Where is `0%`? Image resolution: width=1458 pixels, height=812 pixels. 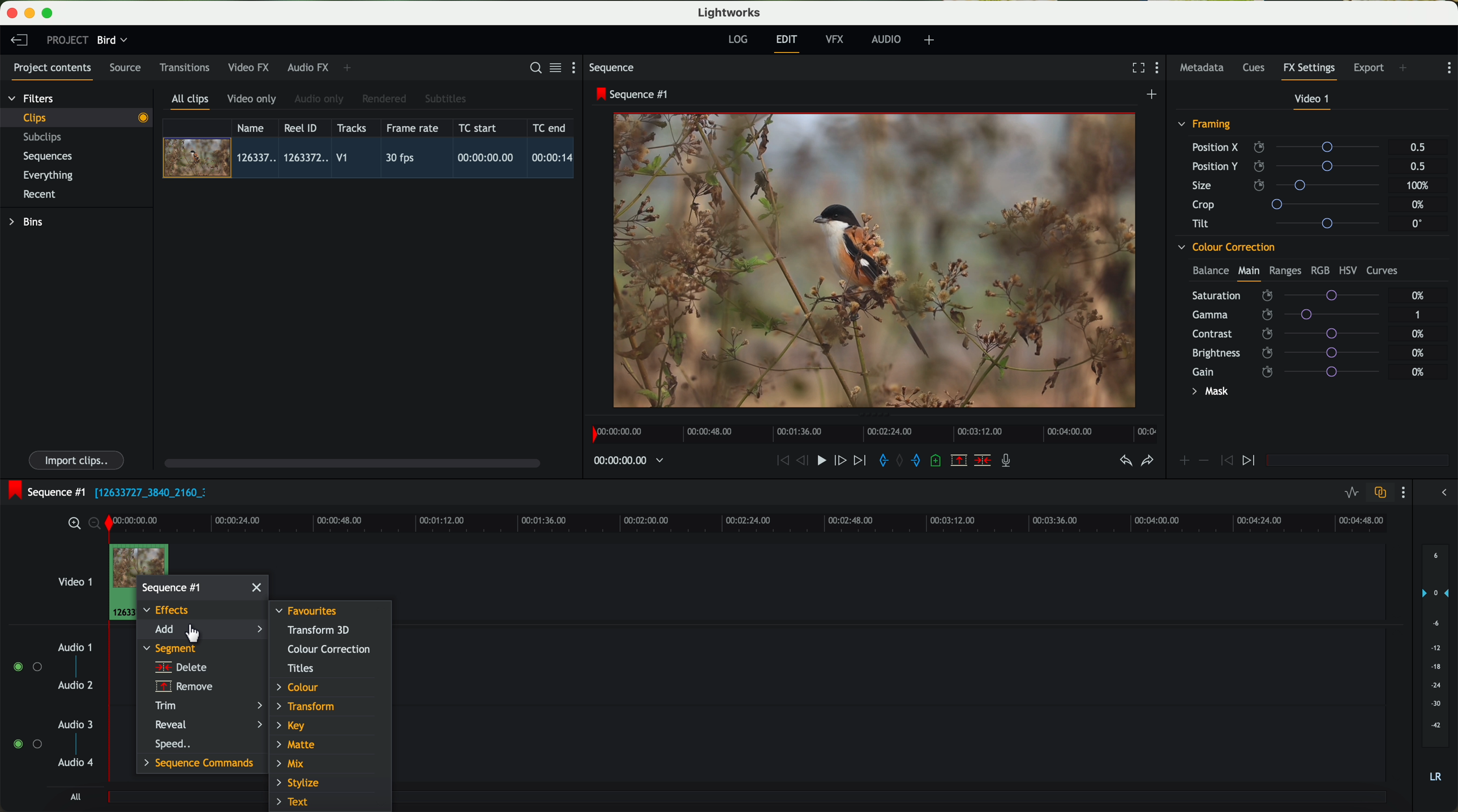
0% is located at coordinates (1418, 295).